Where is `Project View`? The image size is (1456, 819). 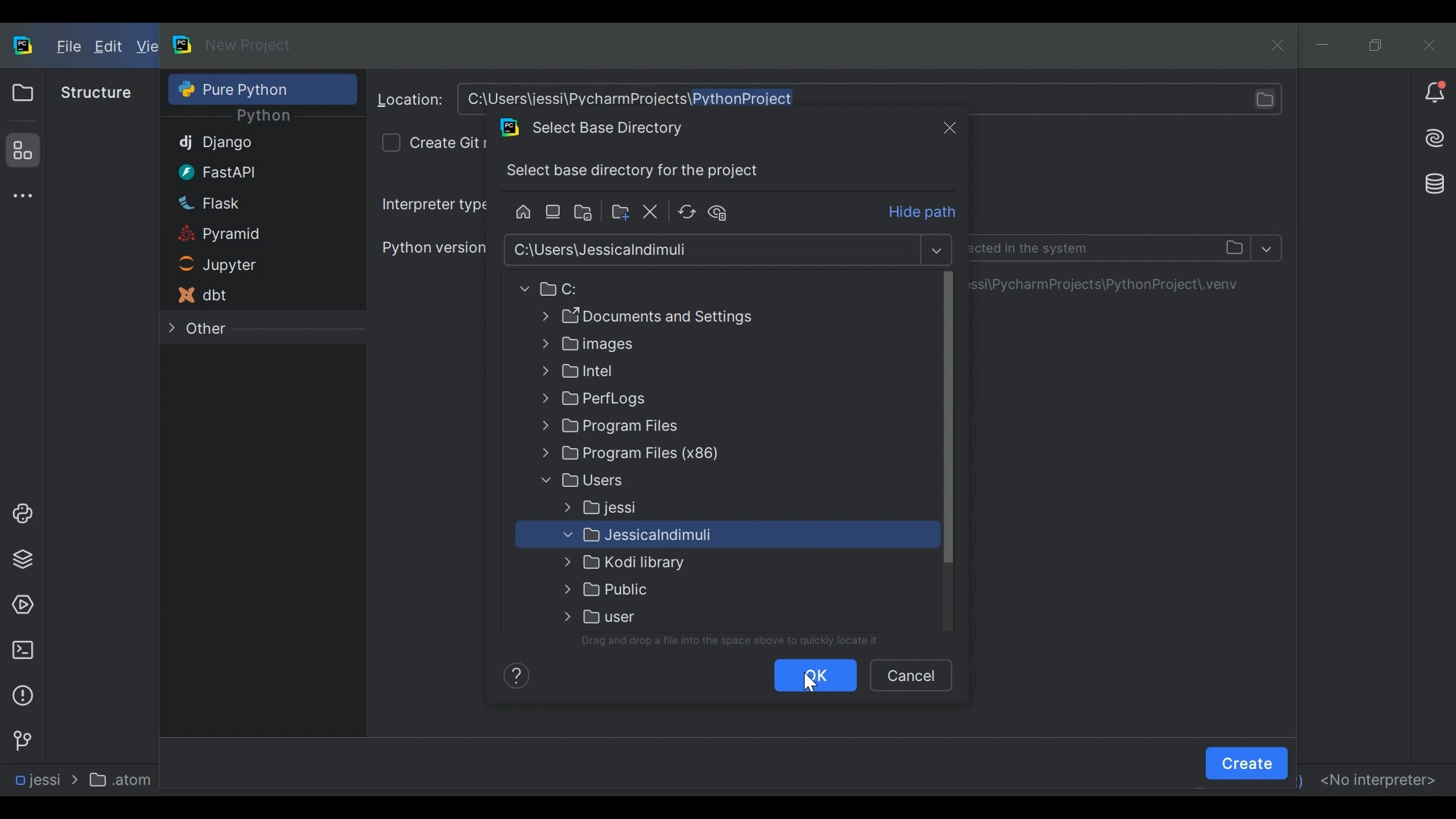 Project View is located at coordinates (22, 93).